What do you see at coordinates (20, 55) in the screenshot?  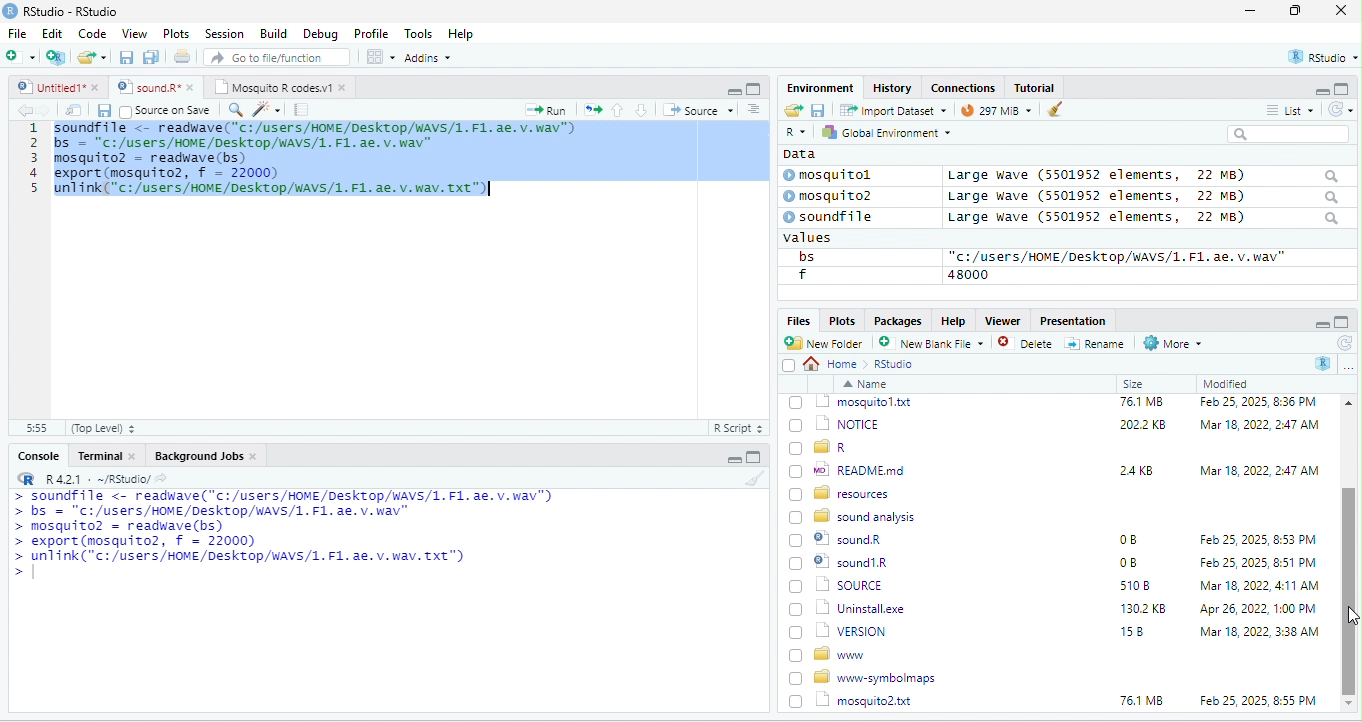 I see `new` at bounding box center [20, 55].